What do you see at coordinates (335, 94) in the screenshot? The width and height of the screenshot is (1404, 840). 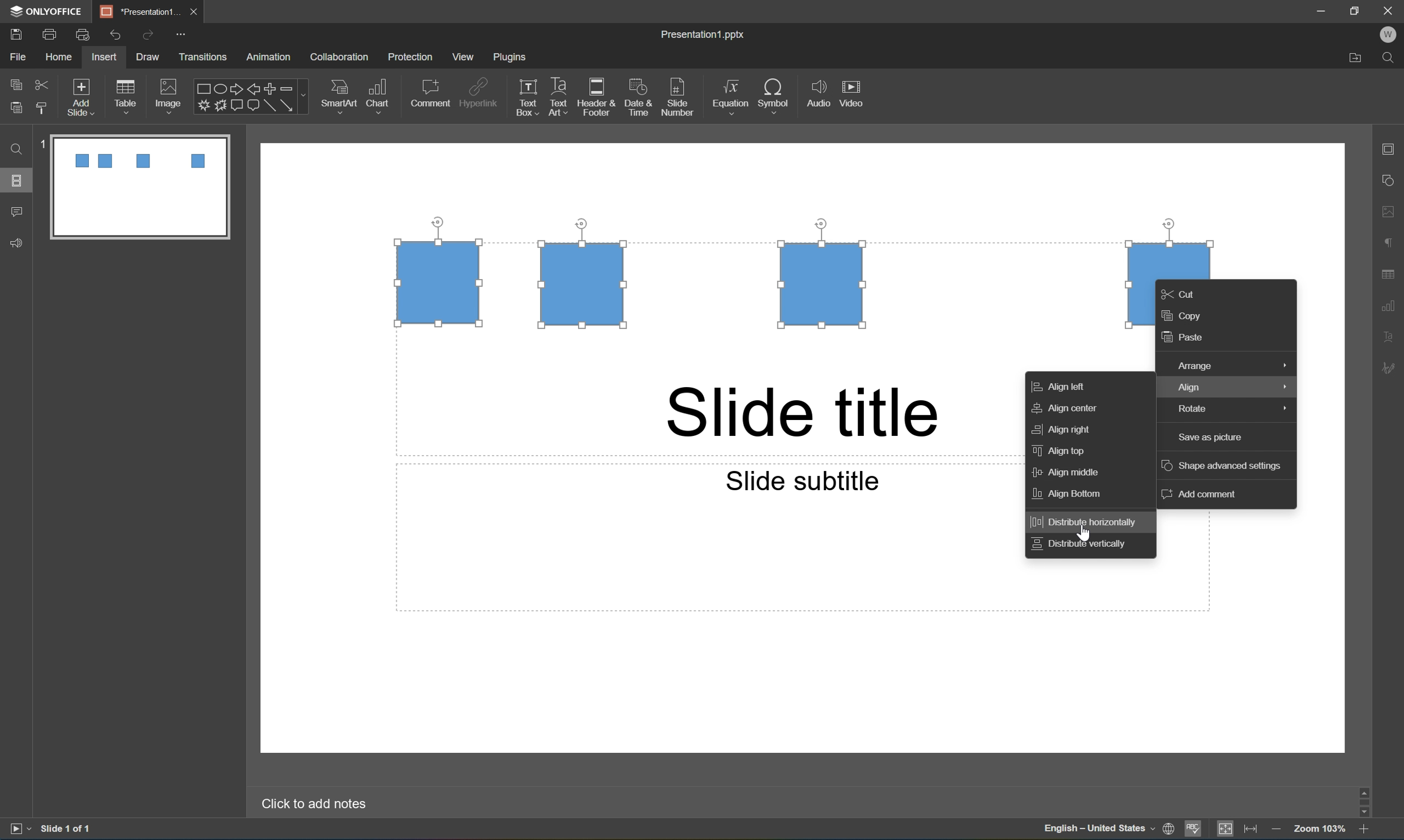 I see `smart art` at bounding box center [335, 94].